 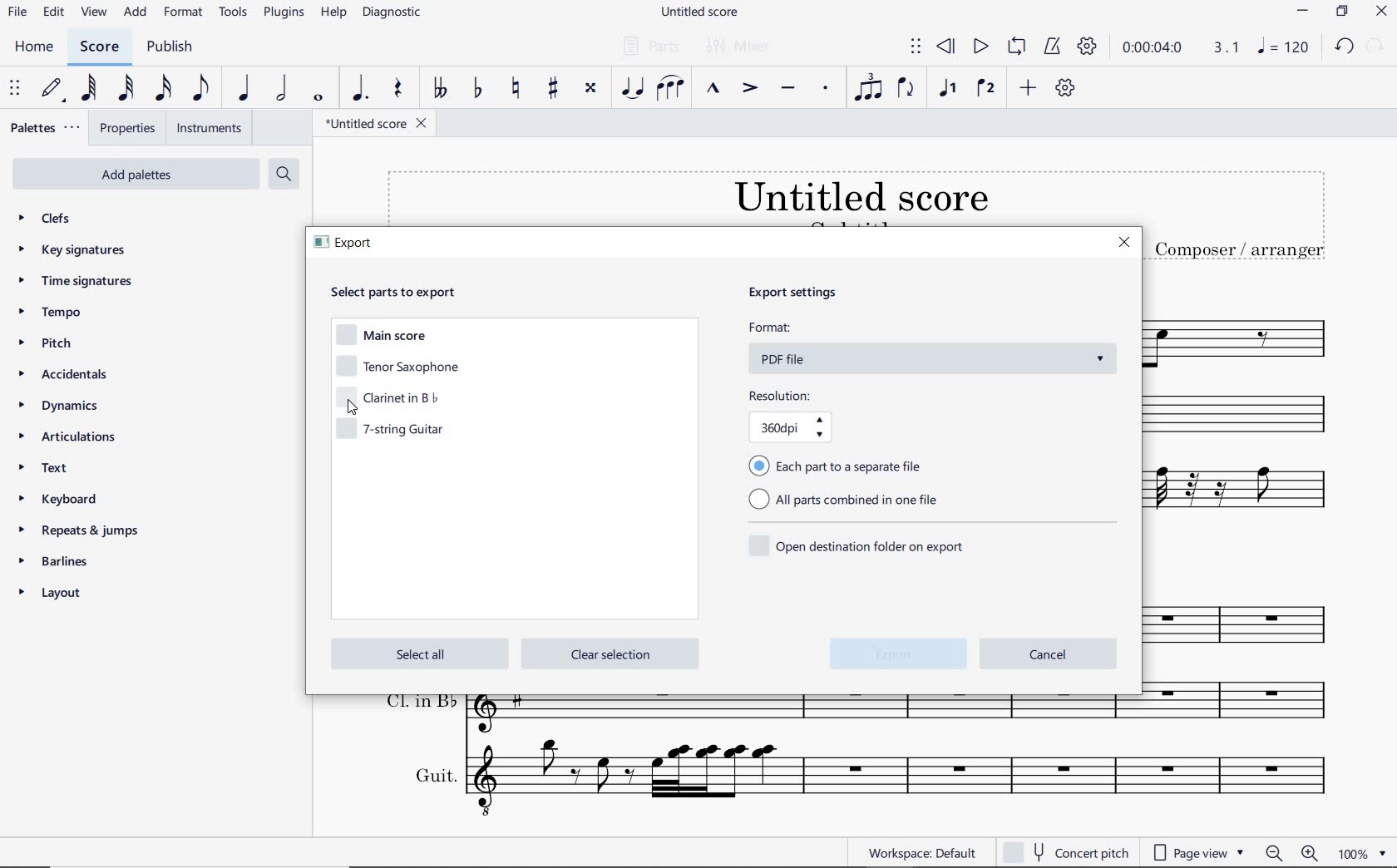 I want to click on MIXER, so click(x=745, y=47).